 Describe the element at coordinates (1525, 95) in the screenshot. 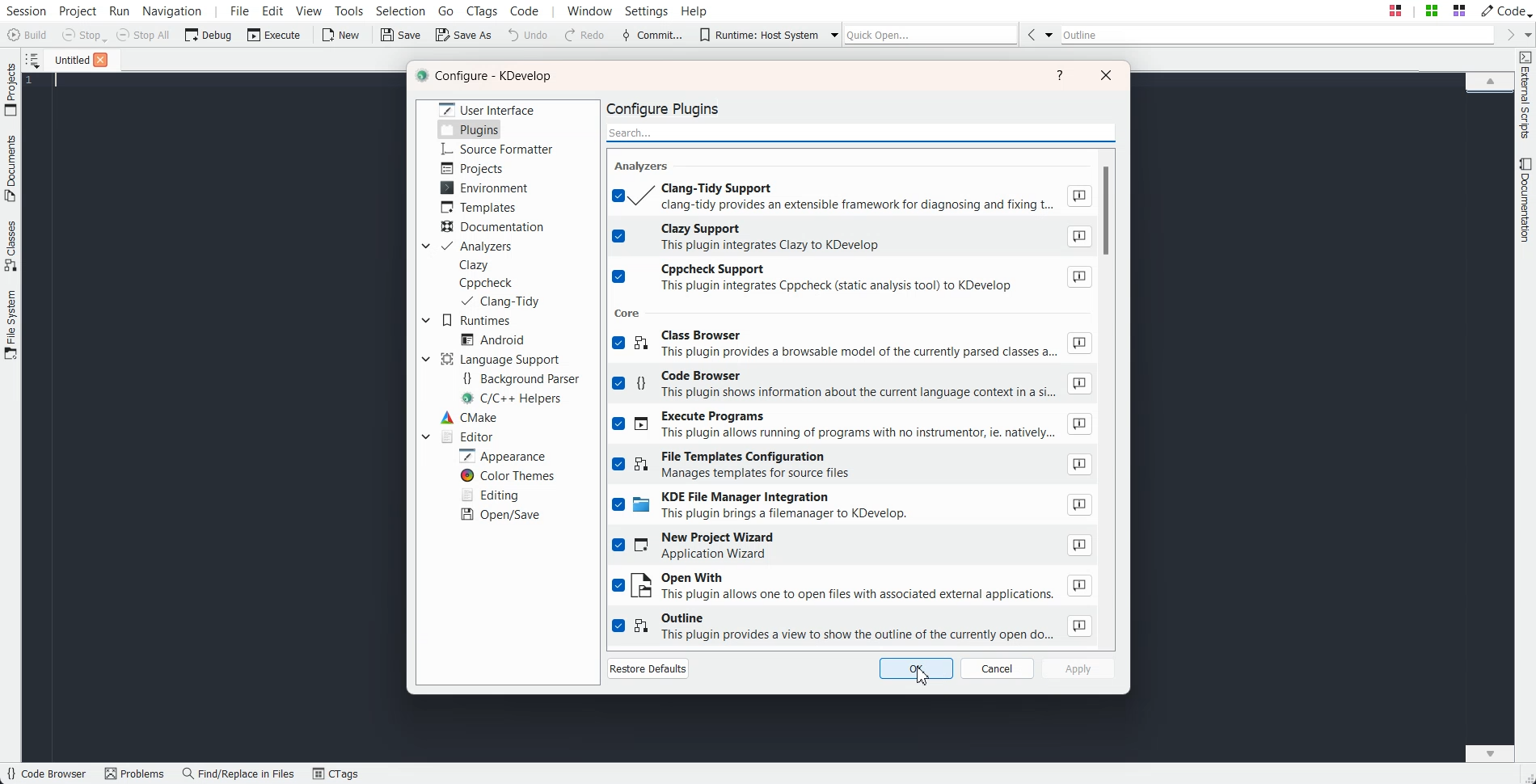

I see `External Scripts` at that location.